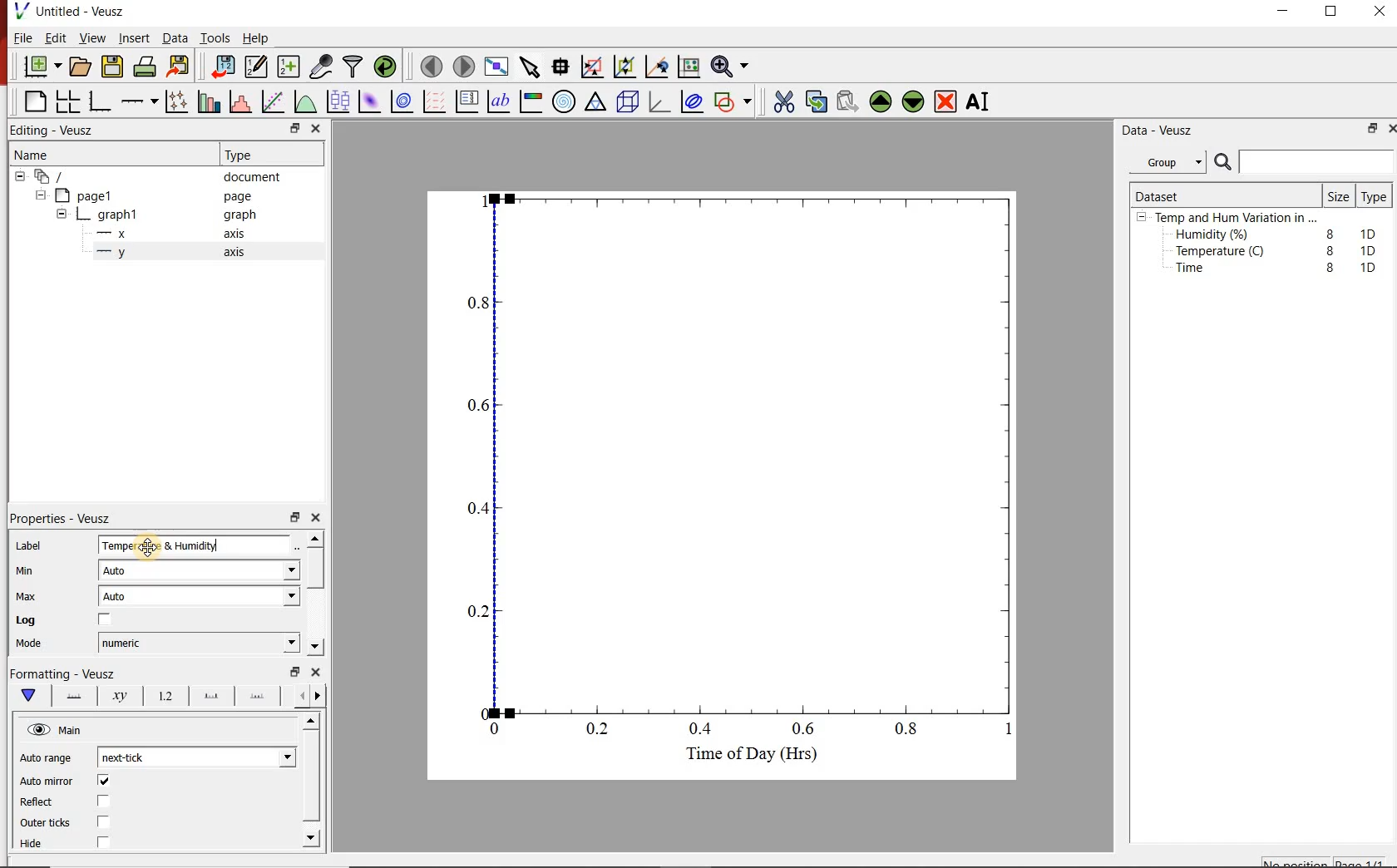 The width and height of the screenshot is (1397, 868). Describe the element at coordinates (475, 509) in the screenshot. I see `0.4` at that location.